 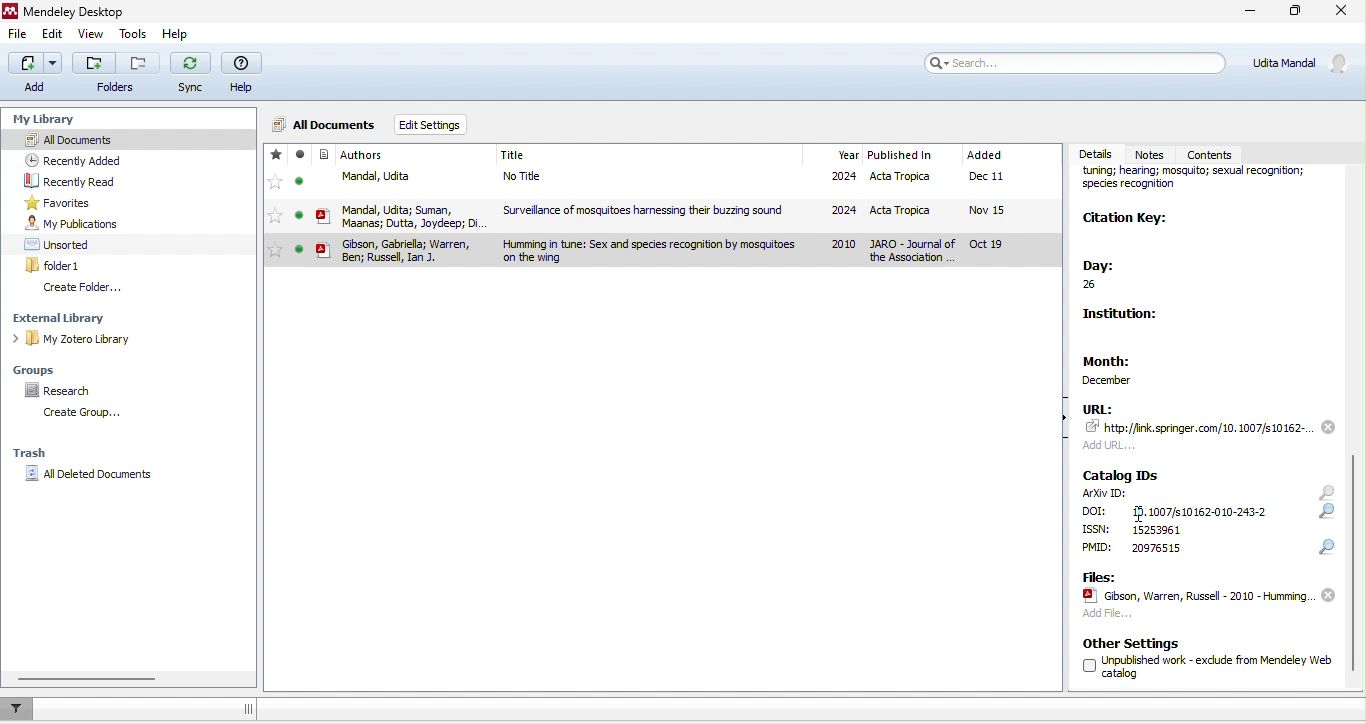 I want to click on added month, so click(x=984, y=155).